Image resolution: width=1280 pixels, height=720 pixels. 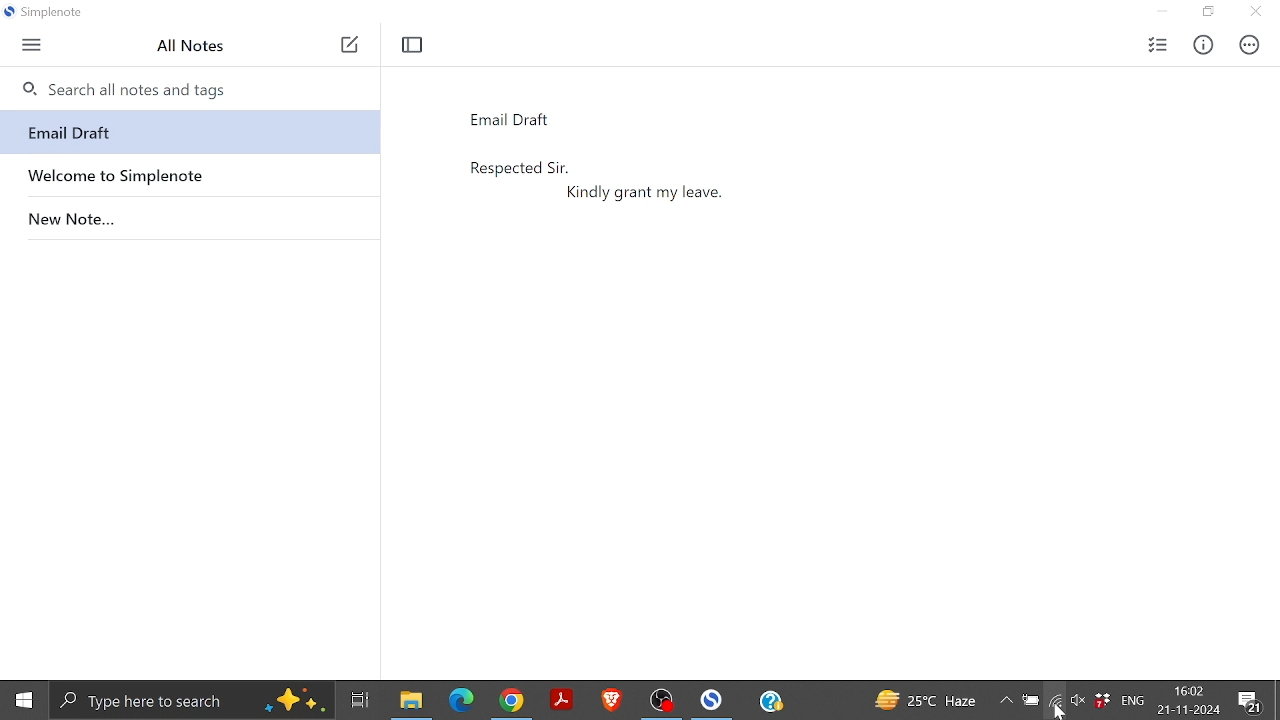 I want to click on Battery, so click(x=1032, y=703).